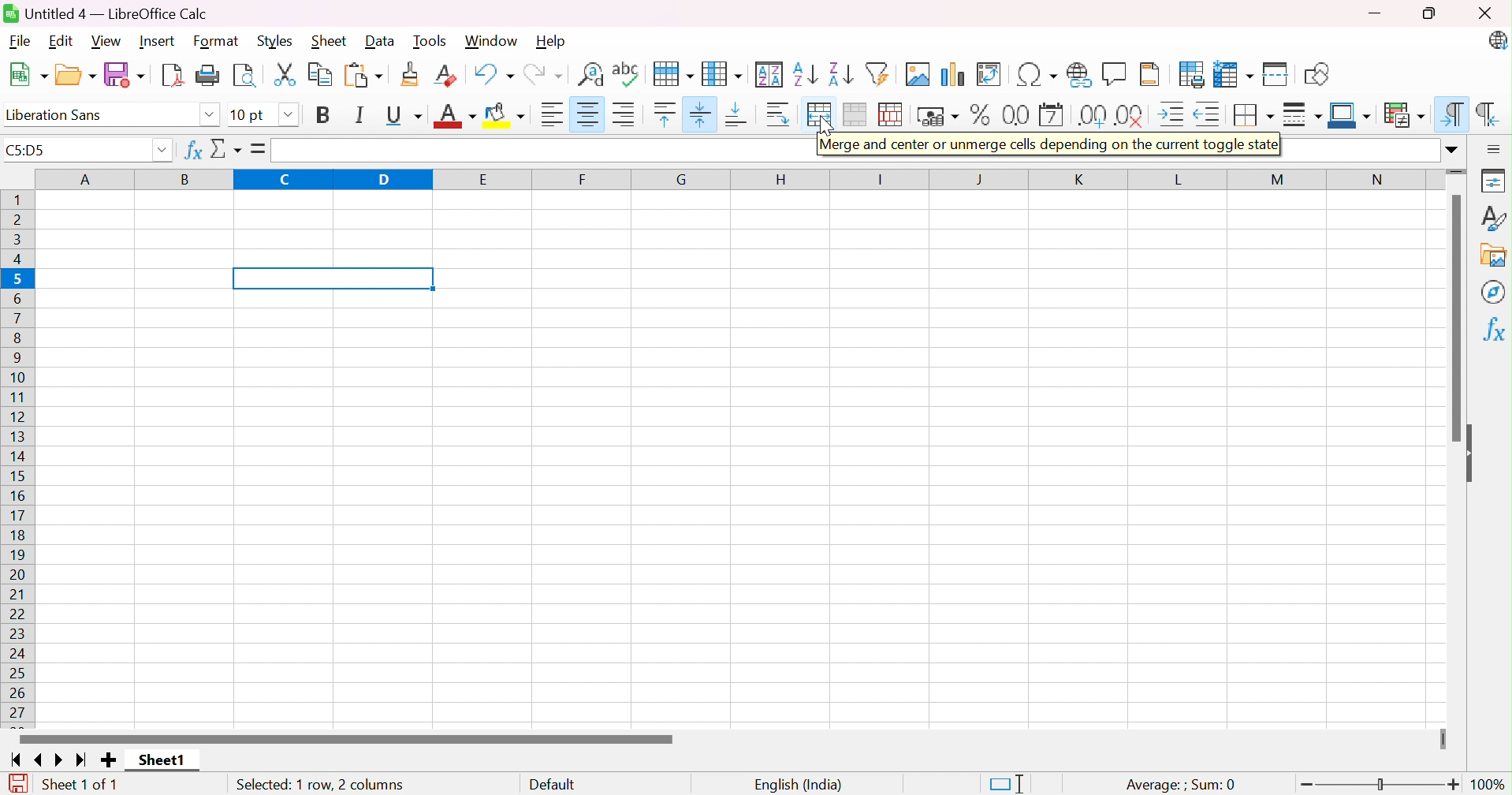  What do you see at coordinates (1451, 151) in the screenshot?
I see `Drop Down` at bounding box center [1451, 151].